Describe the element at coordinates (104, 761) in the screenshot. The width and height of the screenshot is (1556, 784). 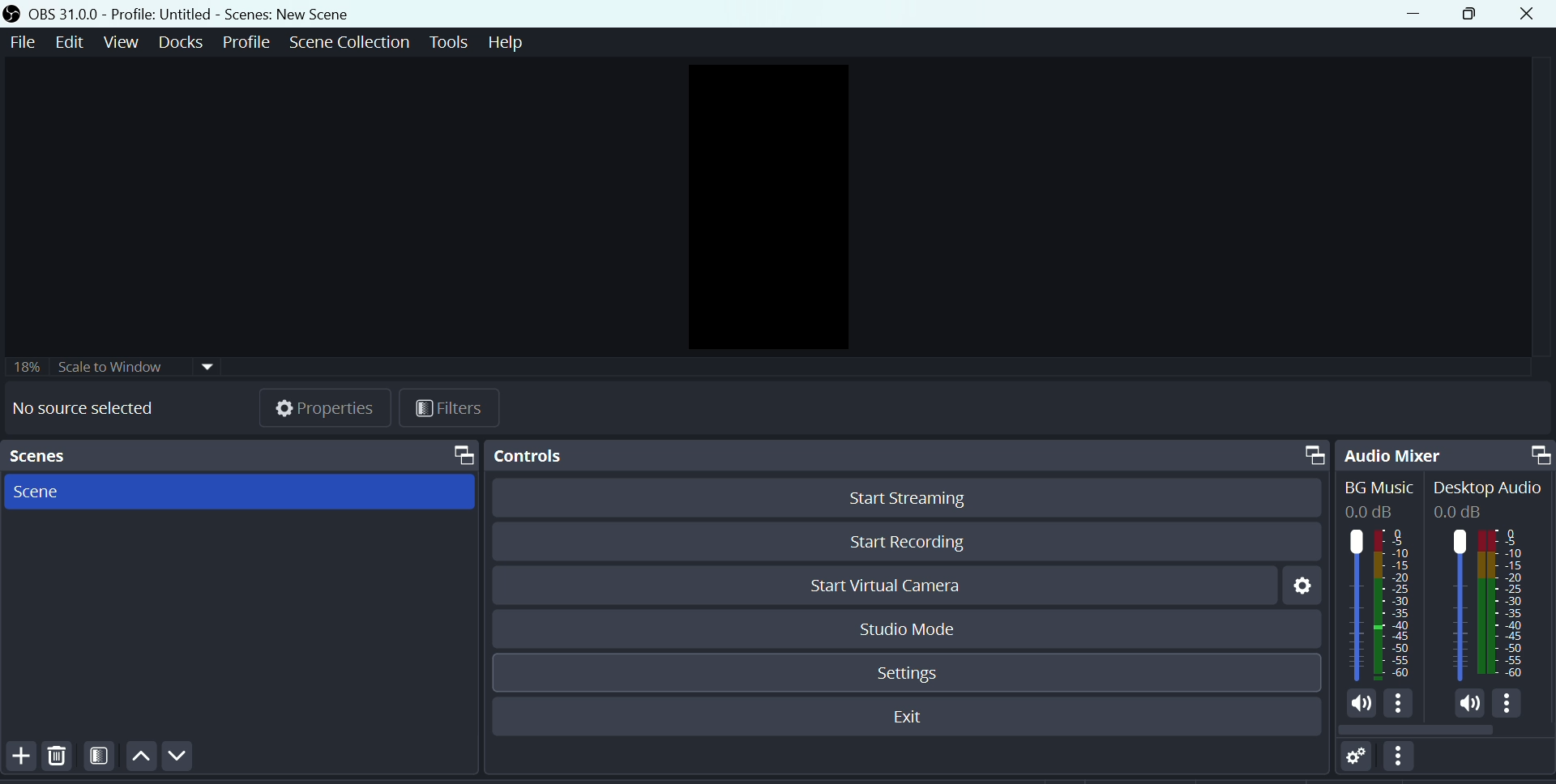
I see `Filters` at that location.